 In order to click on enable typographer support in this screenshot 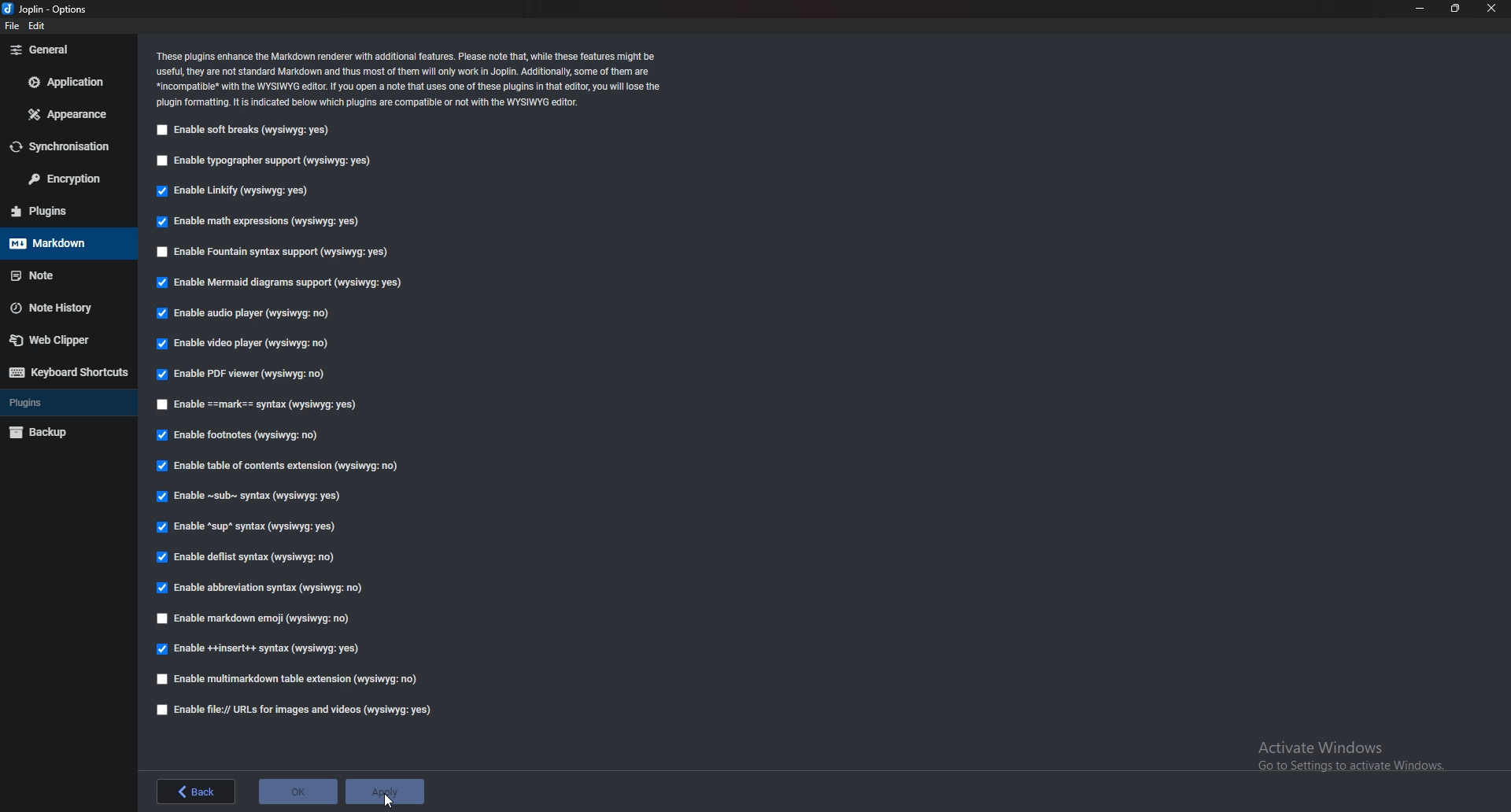, I will do `click(268, 161)`.